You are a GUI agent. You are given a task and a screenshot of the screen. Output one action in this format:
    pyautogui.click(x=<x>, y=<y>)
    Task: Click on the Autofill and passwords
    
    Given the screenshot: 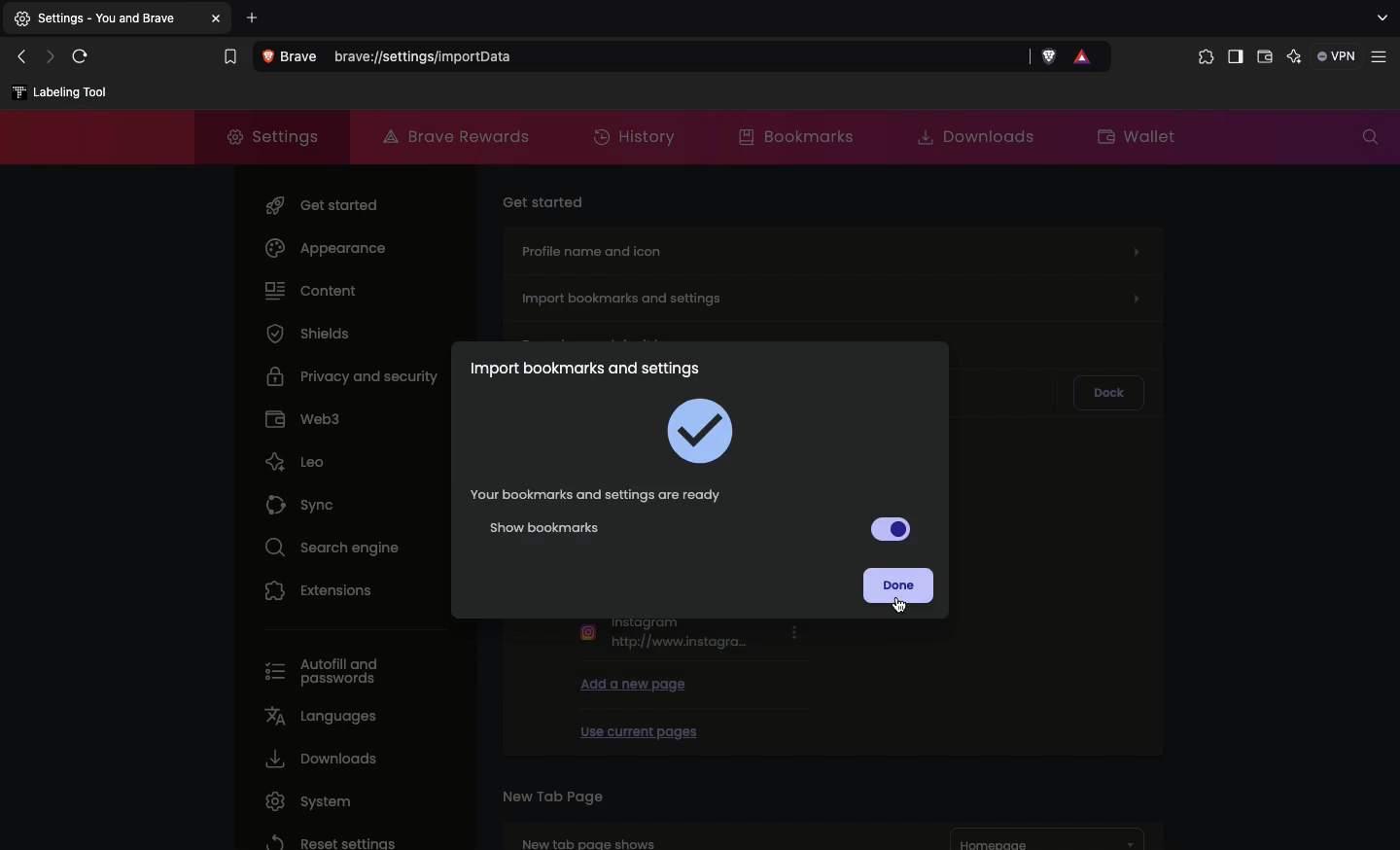 What is the action you would take?
    pyautogui.click(x=330, y=673)
    